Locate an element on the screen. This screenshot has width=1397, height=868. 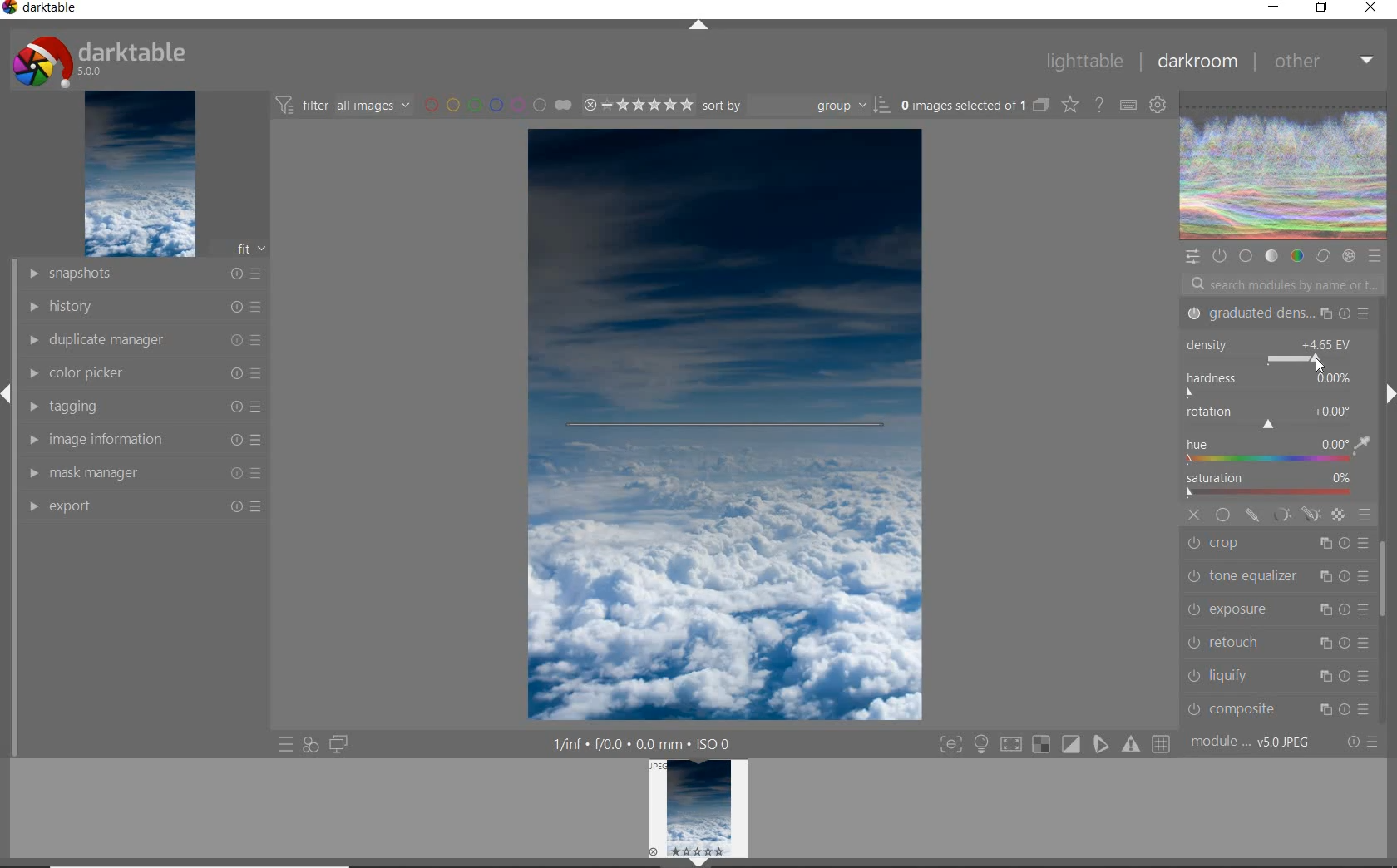
COLOR is located at coordinates (1296, 257).